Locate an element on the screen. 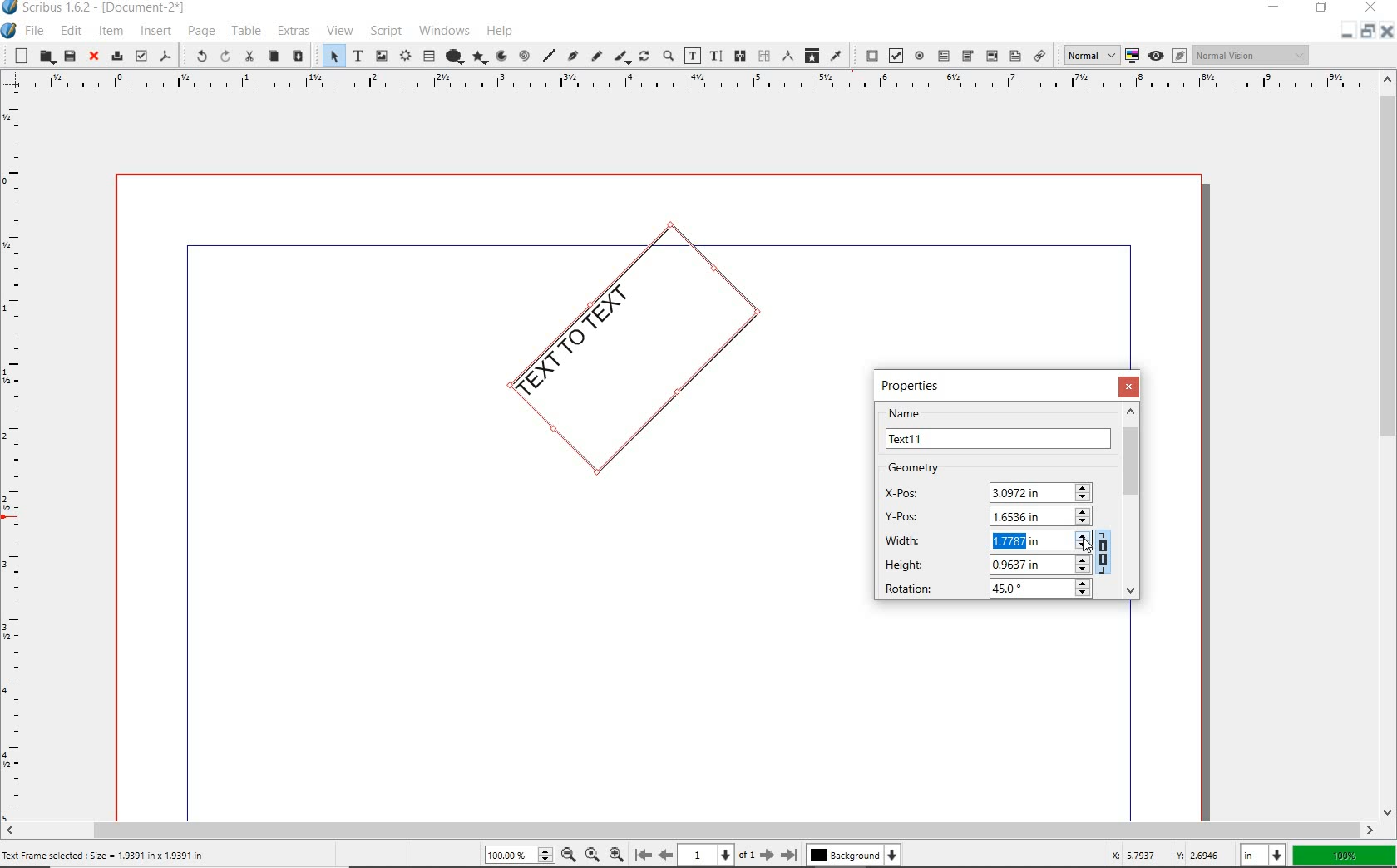  copy item properties is located at coordinates (812, 55).